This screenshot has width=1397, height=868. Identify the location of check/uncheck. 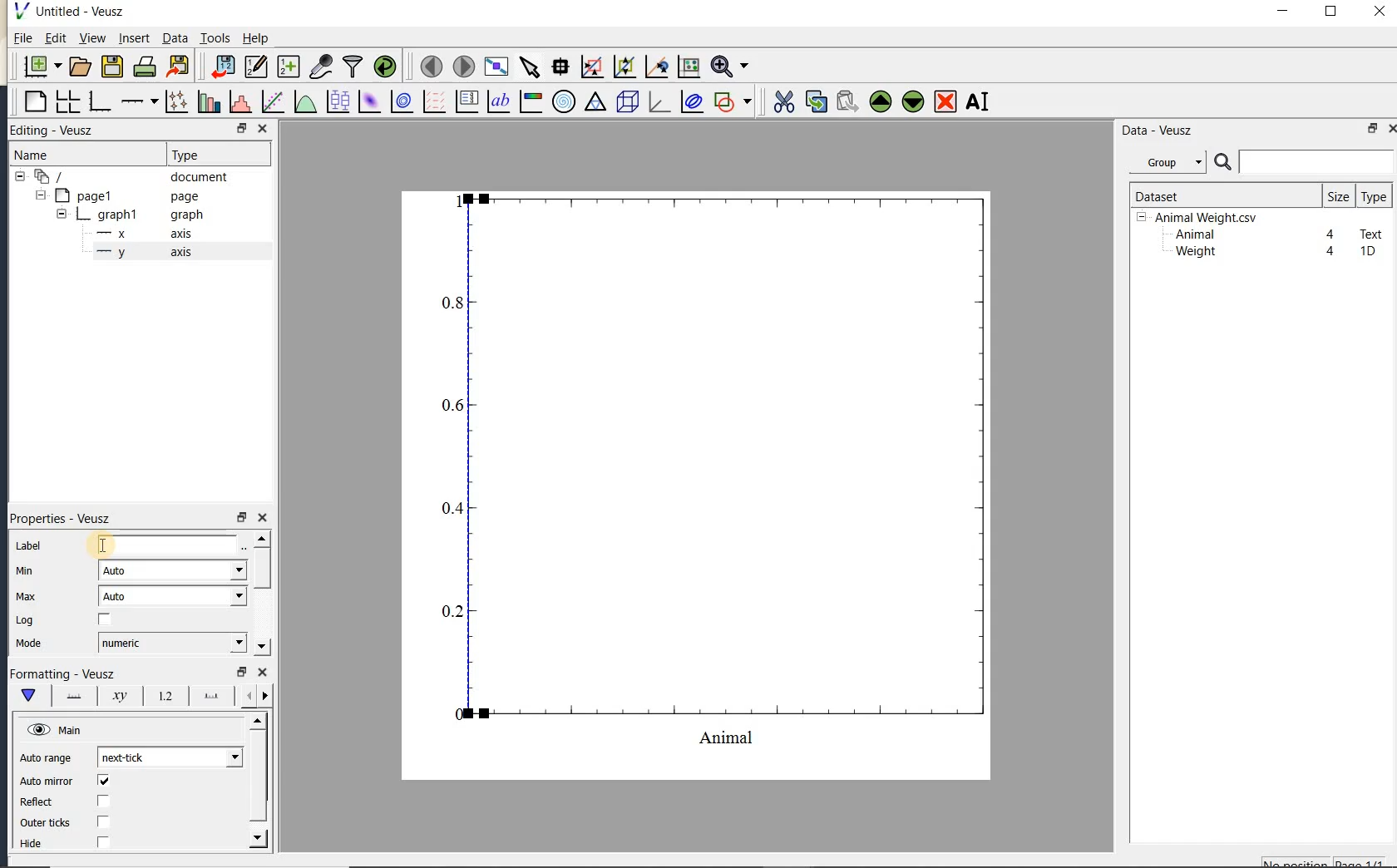
(105, 620).